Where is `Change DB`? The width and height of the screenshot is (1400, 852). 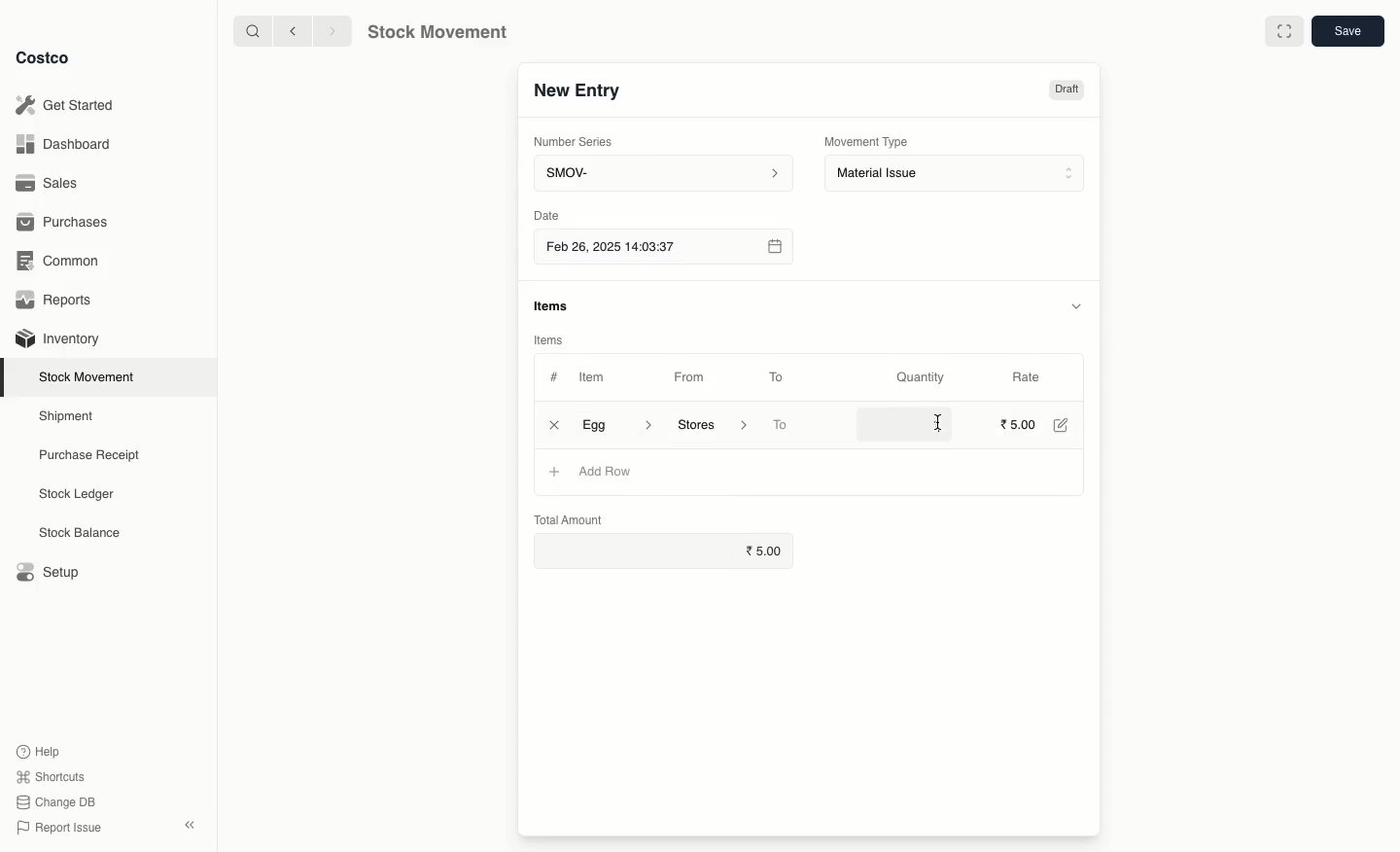 Change DB is located at coordinates (56, 802).